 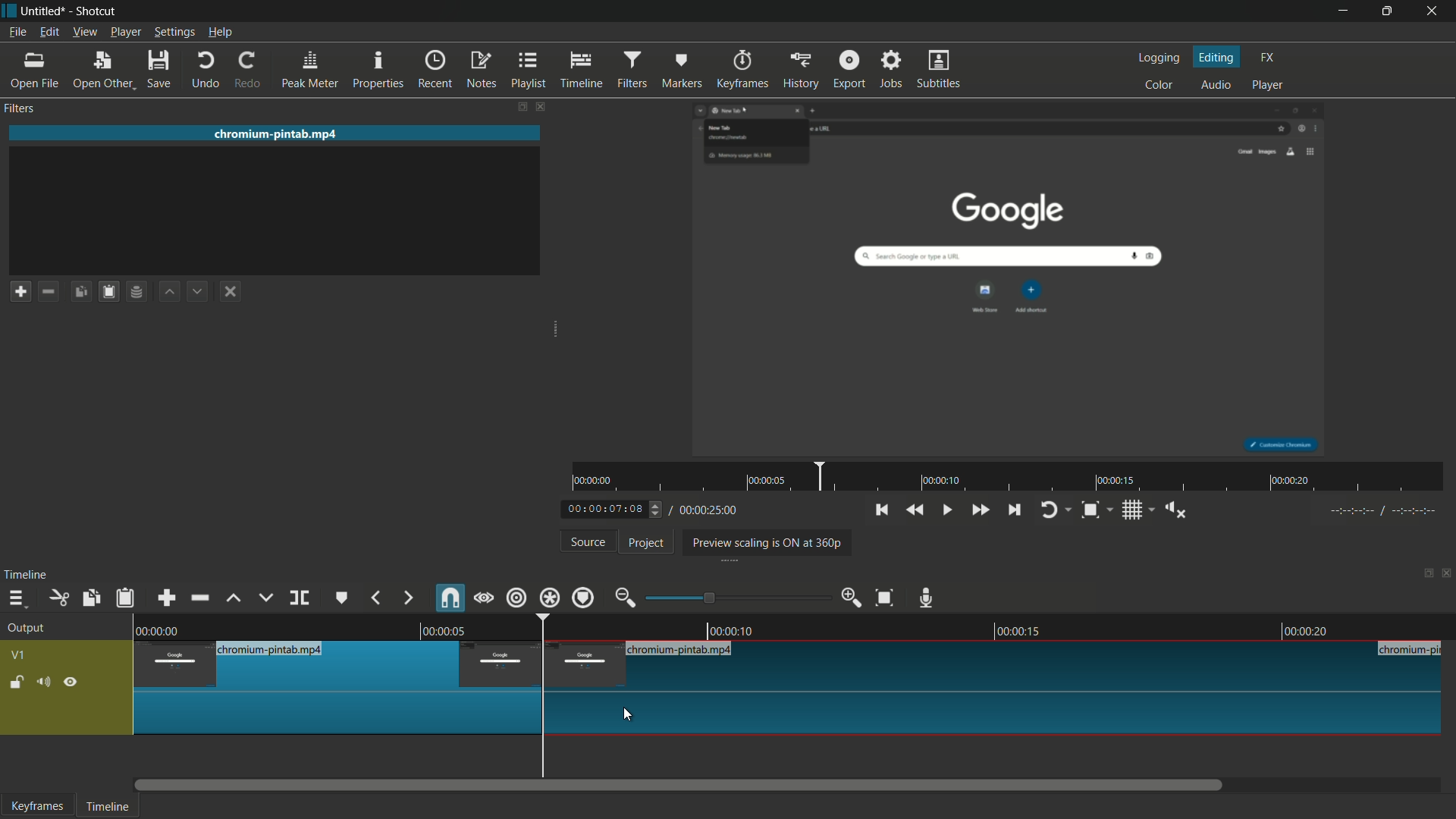 What do you see at coordinates (1157, 59) in the screenshot?
I see `logging` at bounding box center [1157, 59].